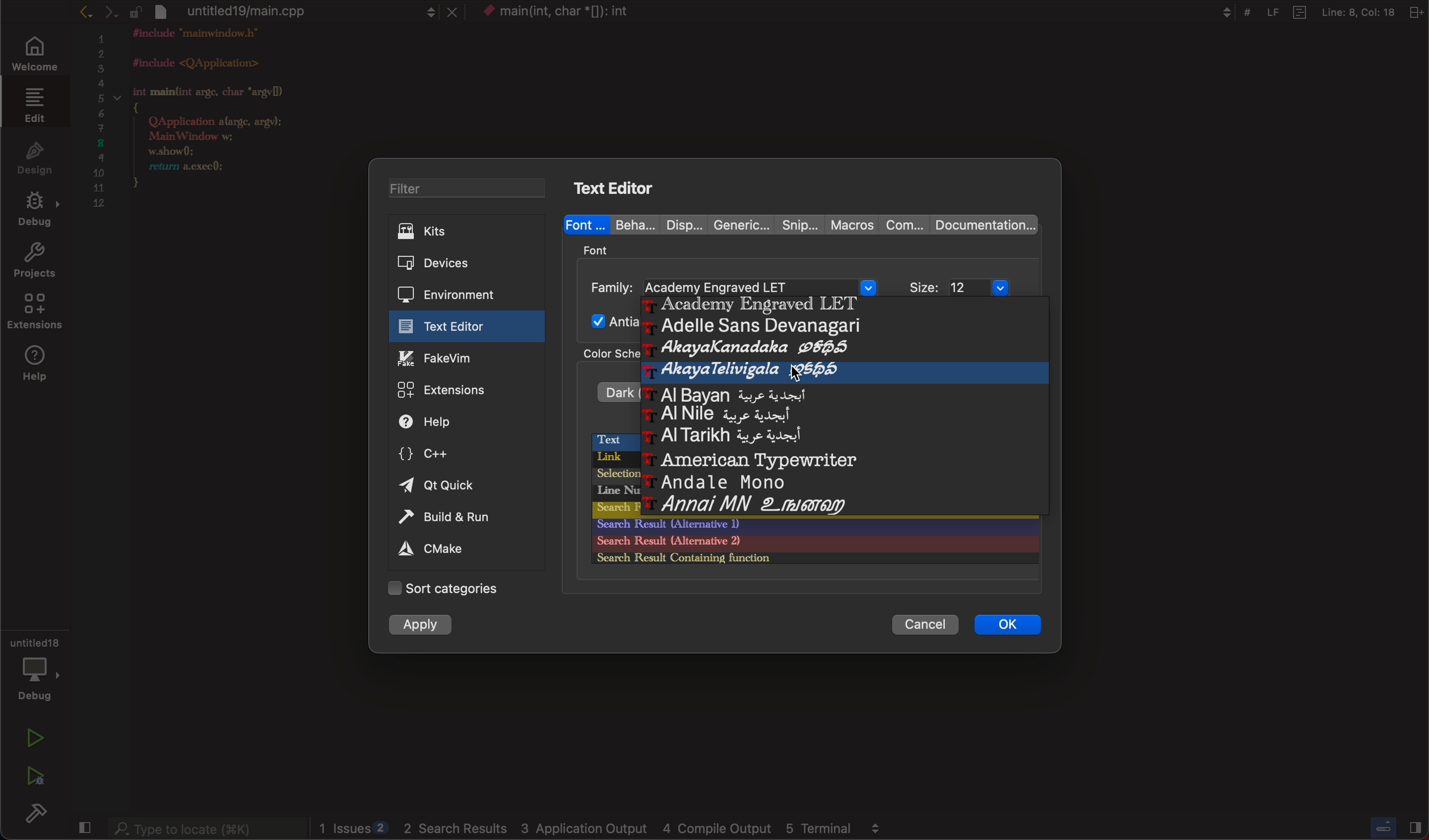  I want to click on close sidebar, so click(85, 828).